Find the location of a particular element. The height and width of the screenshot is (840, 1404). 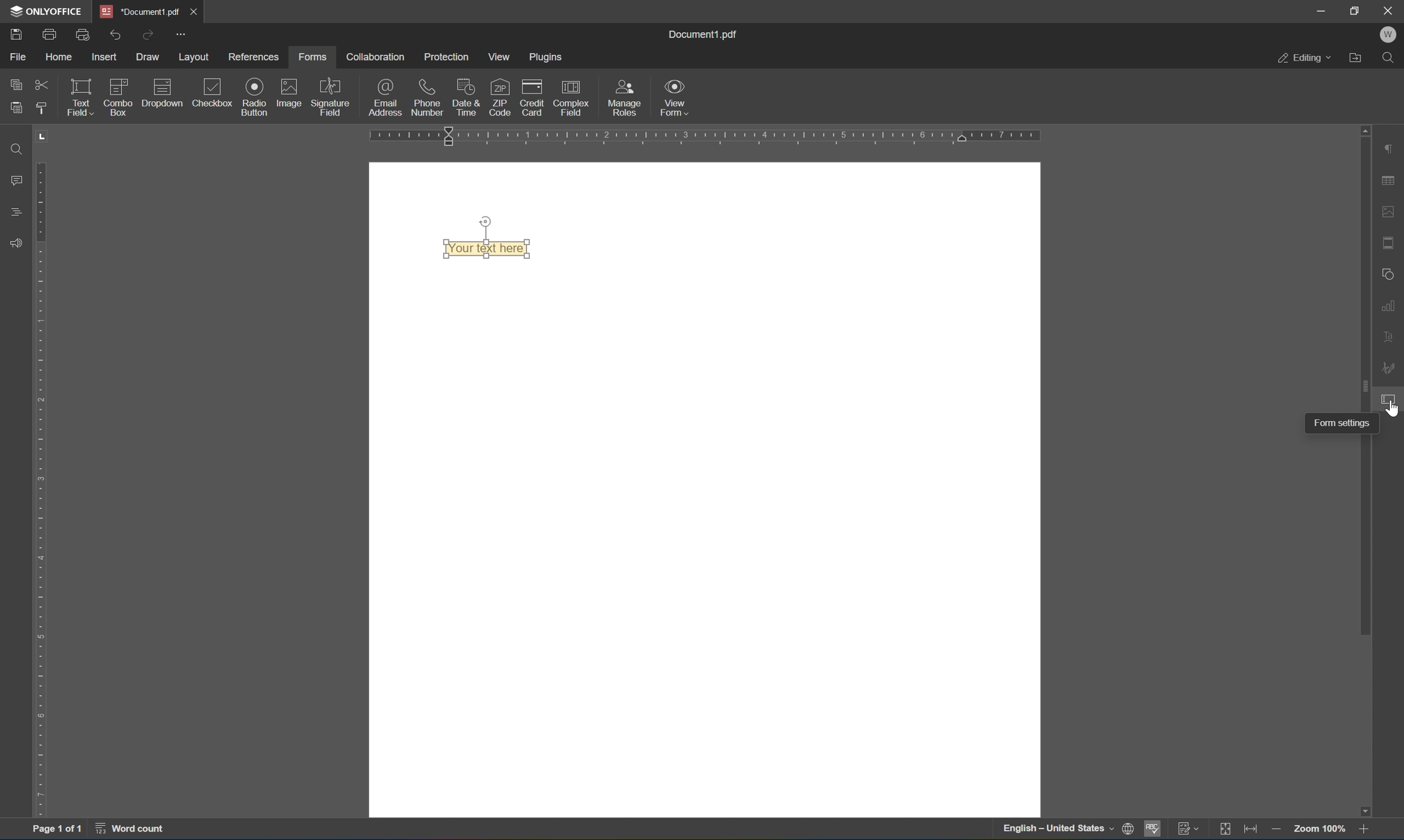

ONLYOFFICE is located at coordinates (44, 12).